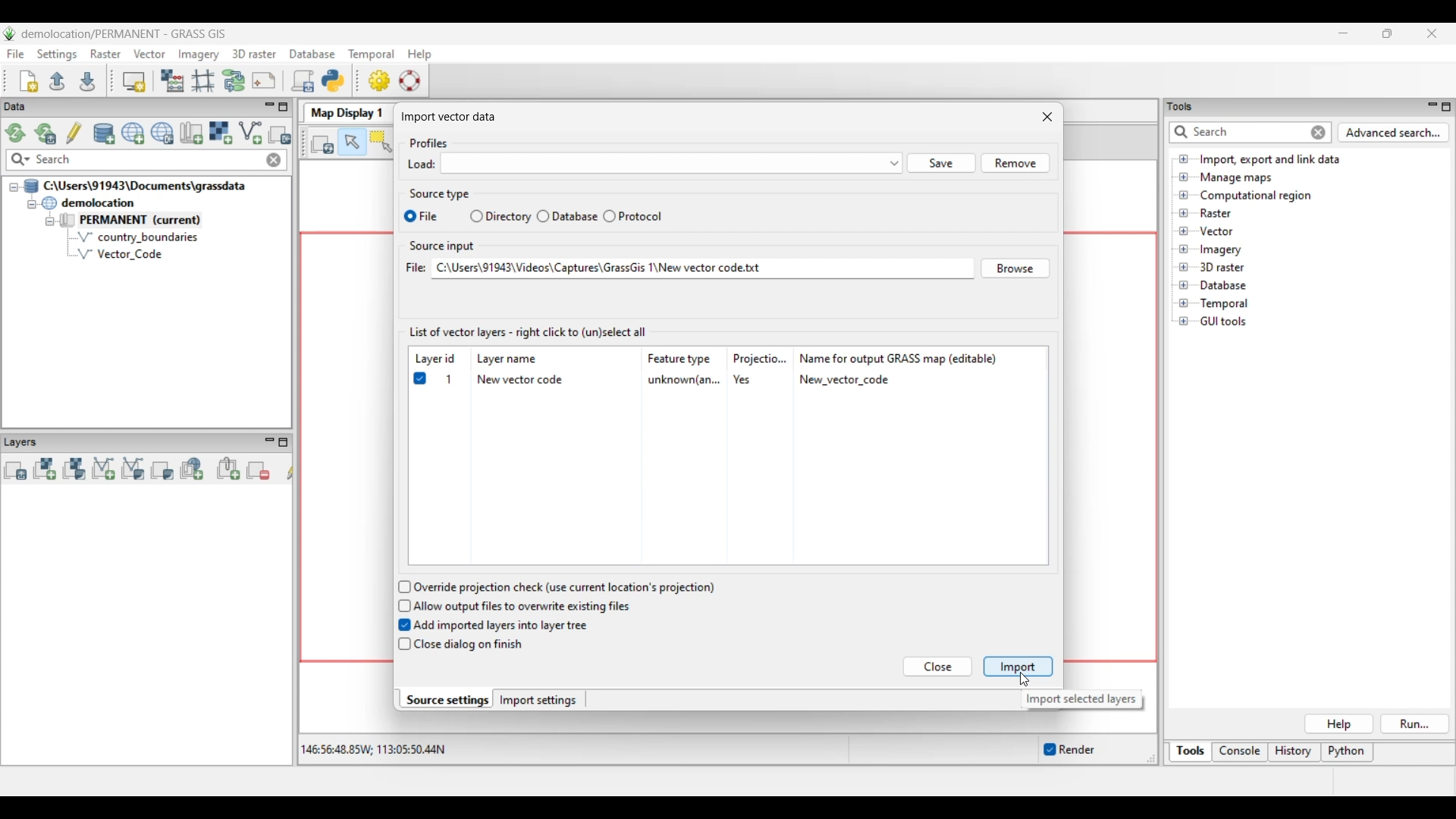 Image resolution: width=1456 pixels, height=819 pixels. I want to click on Allow edits outside of the current mapset, so click(74, 133).